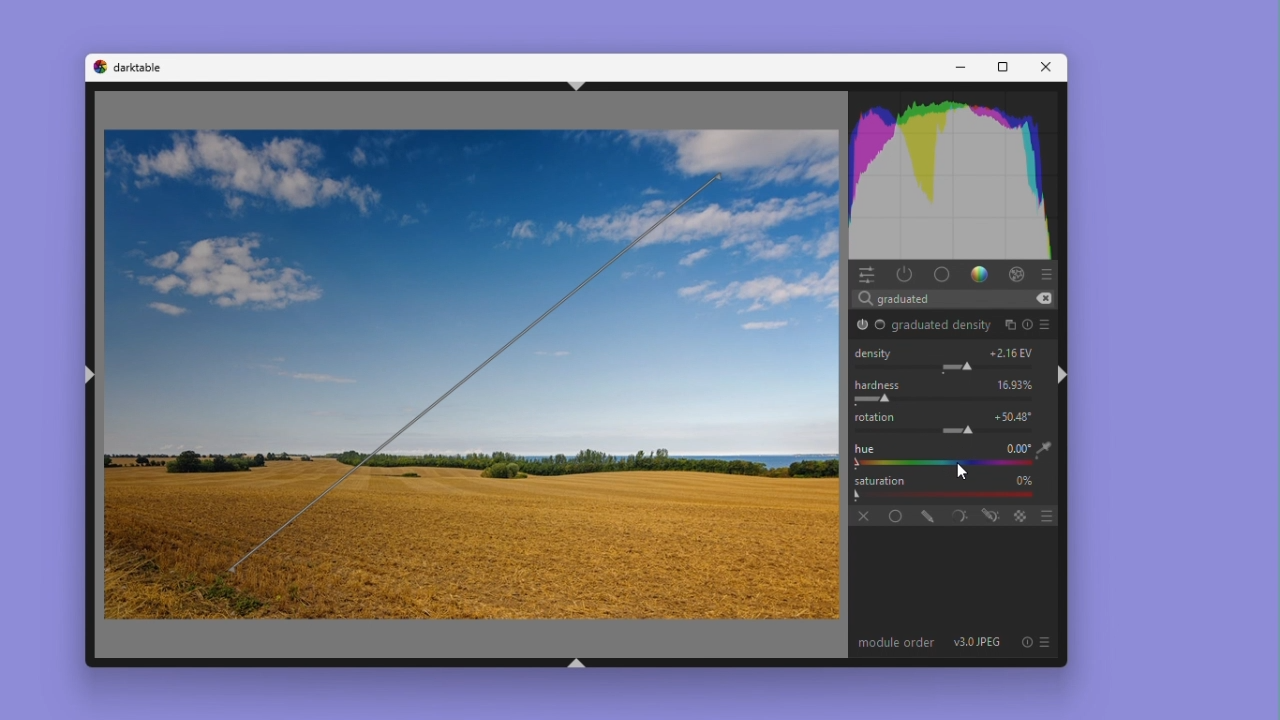 The height and width of the screenshot is (720, 1280). What do you see at coordinates (863, 448) in the screenshot?
I see `hue` at bounding box center [863, 448].